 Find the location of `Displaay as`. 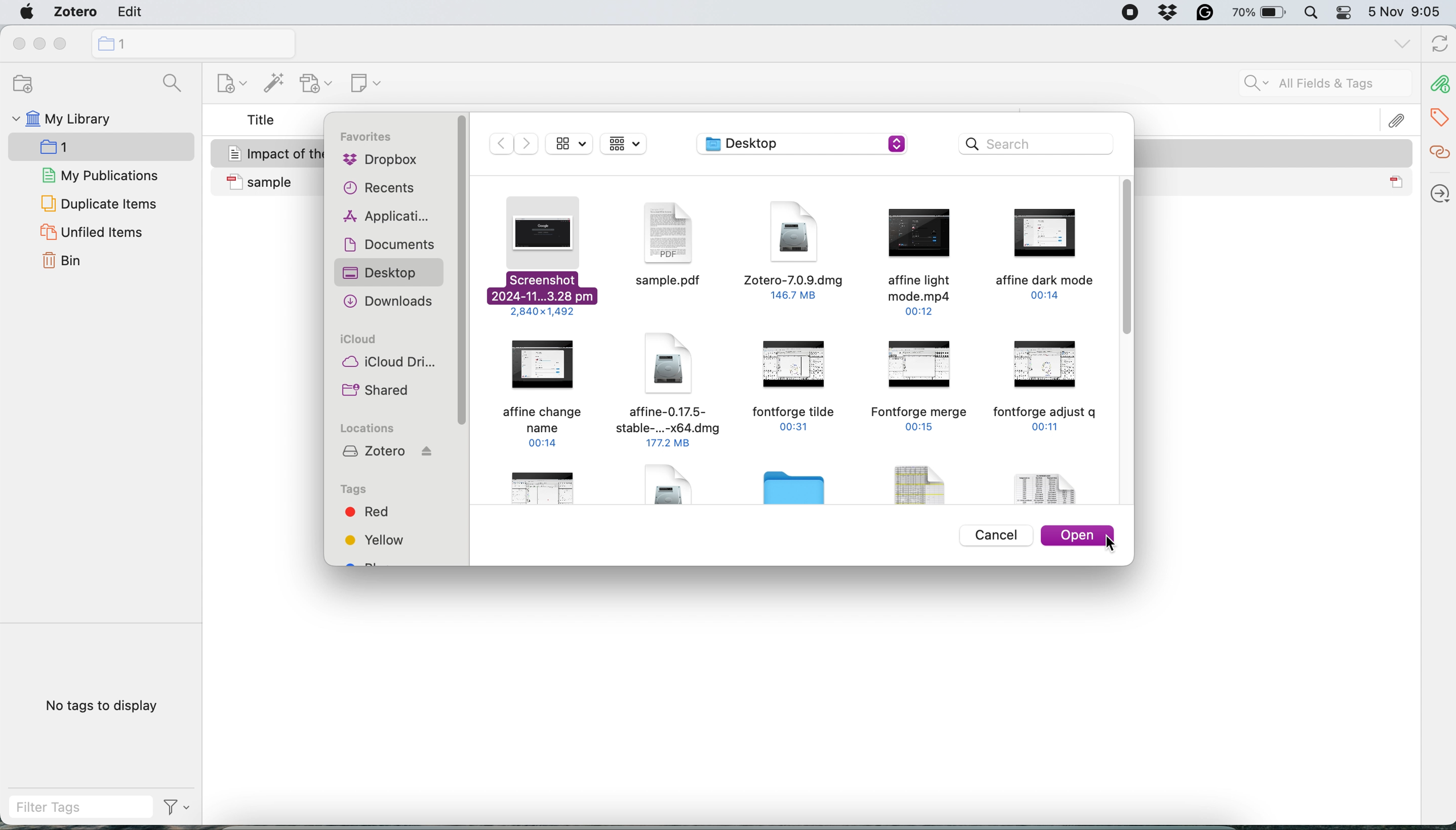

Displaay as is located at coordinates (629, 144).